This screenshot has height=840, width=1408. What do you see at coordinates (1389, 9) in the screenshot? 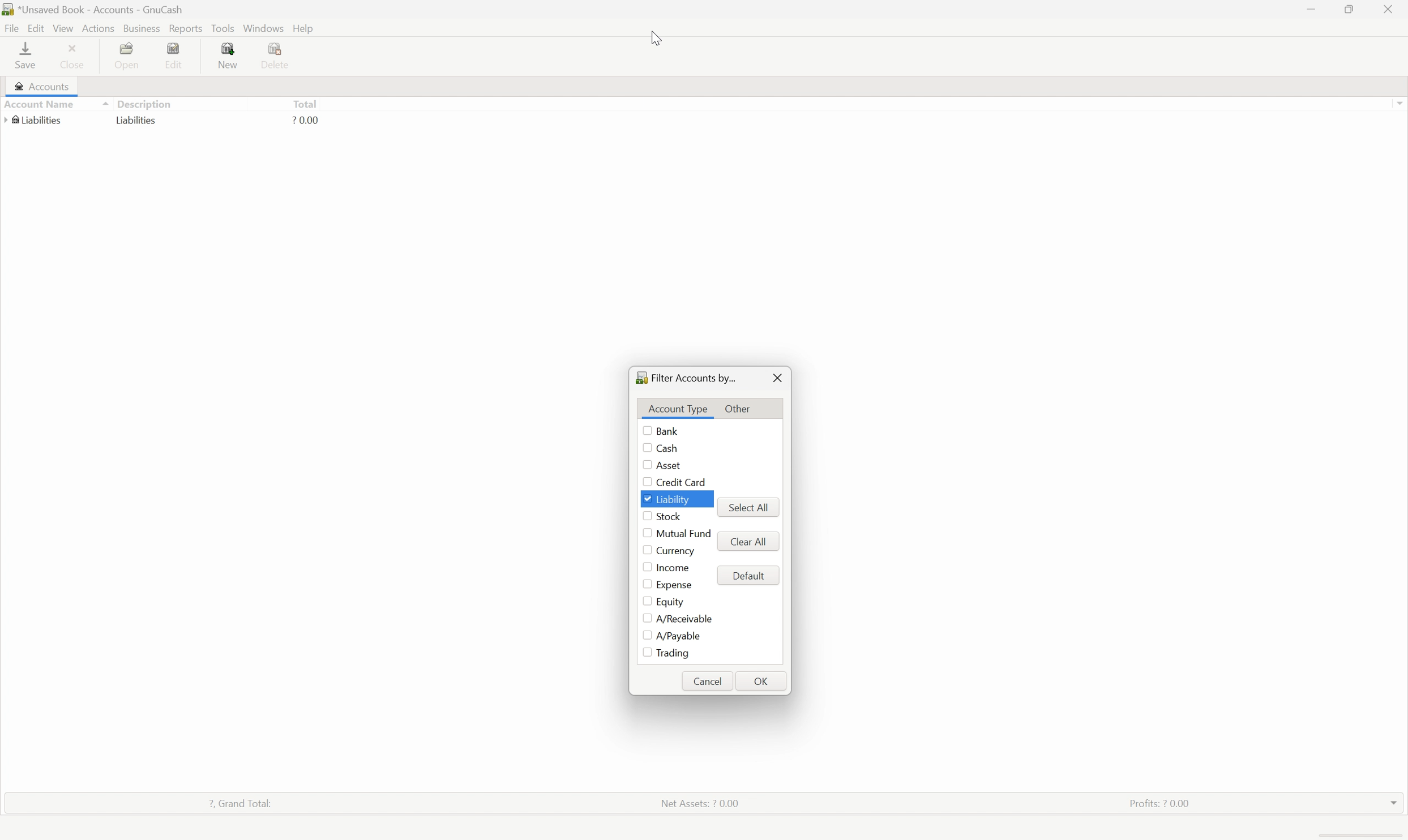
I see `close` at bounding box center [1389, 9].